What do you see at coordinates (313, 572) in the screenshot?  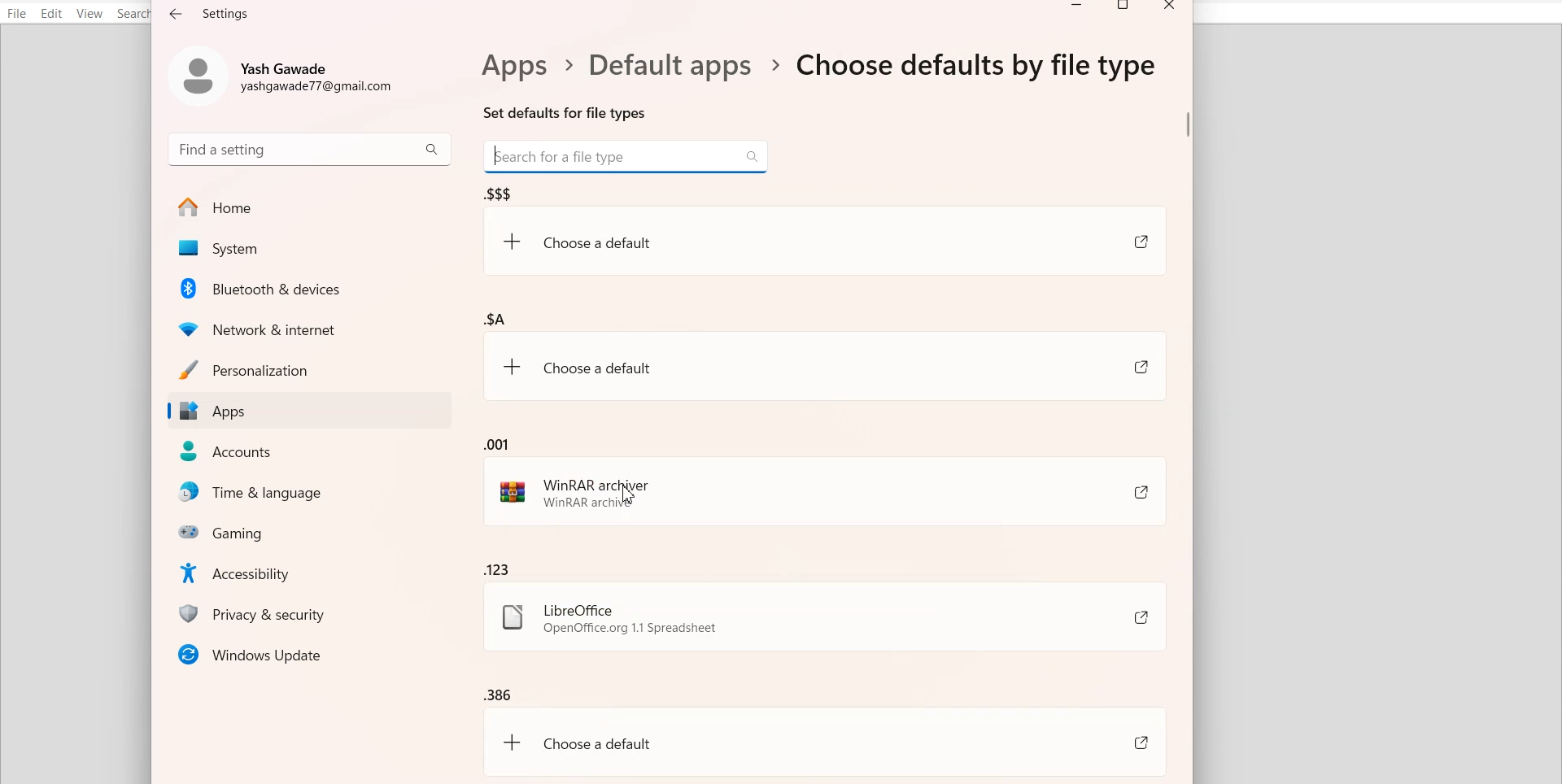 I see `Accessibility` at bounding box center [313, 572].